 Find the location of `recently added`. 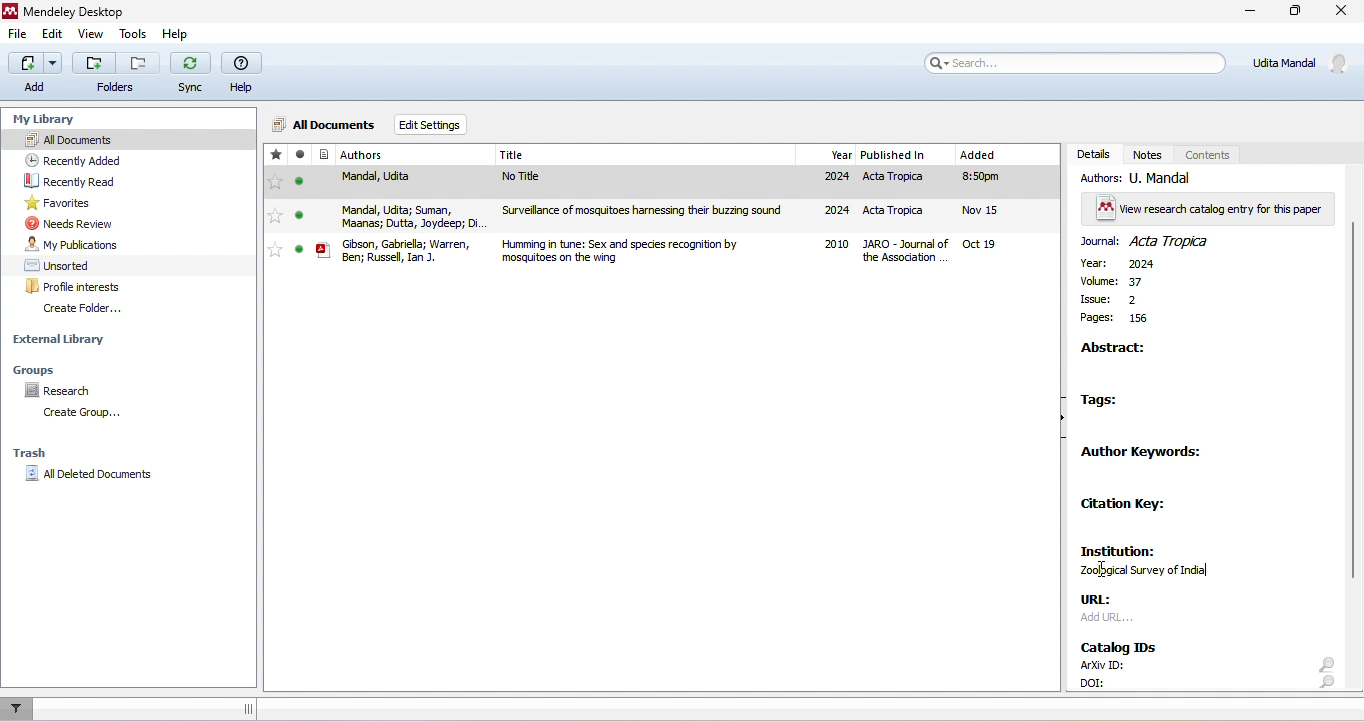

recently added is located at coordinates (83, 159).